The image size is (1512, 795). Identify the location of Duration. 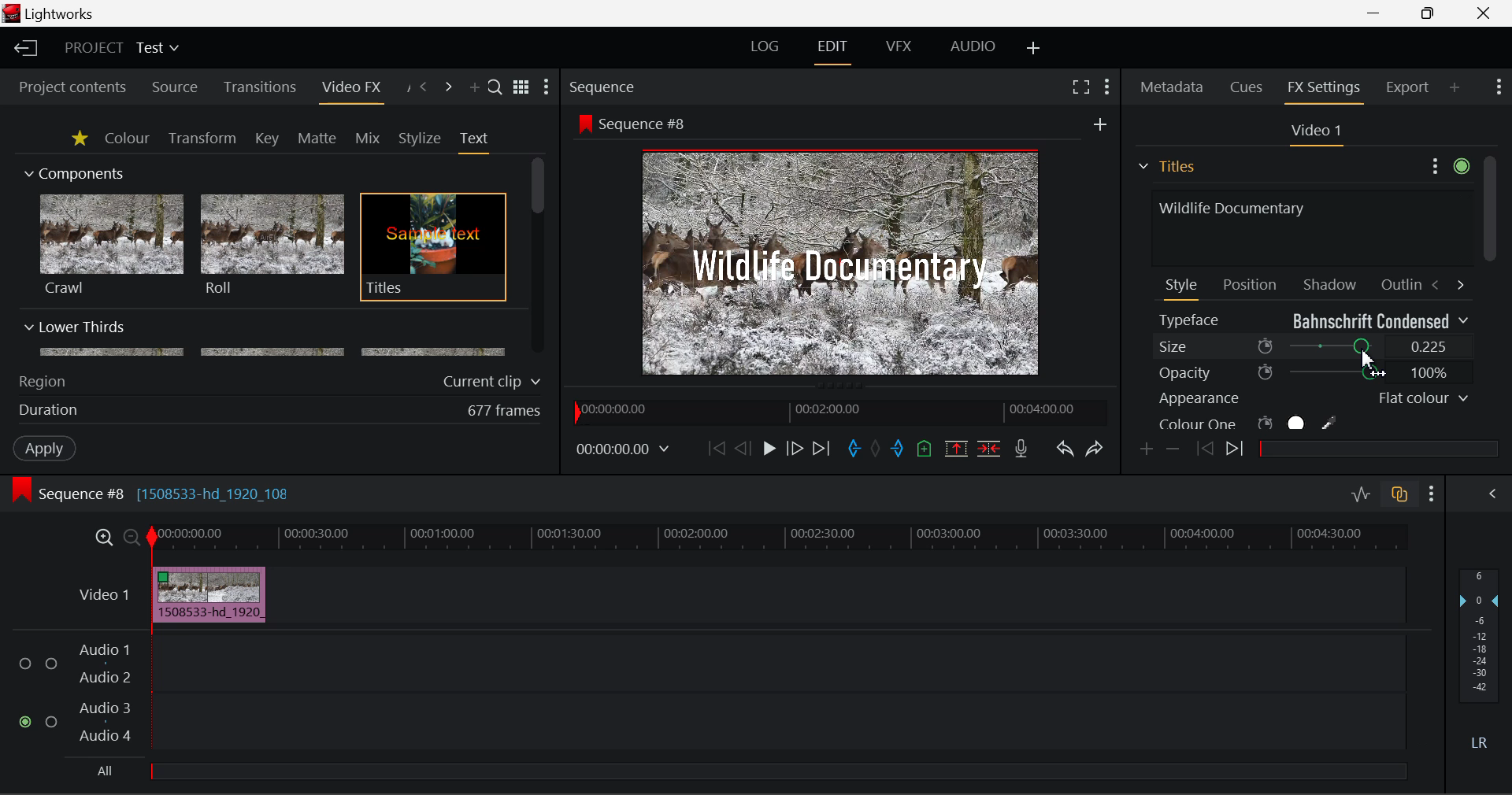
(50, 411).